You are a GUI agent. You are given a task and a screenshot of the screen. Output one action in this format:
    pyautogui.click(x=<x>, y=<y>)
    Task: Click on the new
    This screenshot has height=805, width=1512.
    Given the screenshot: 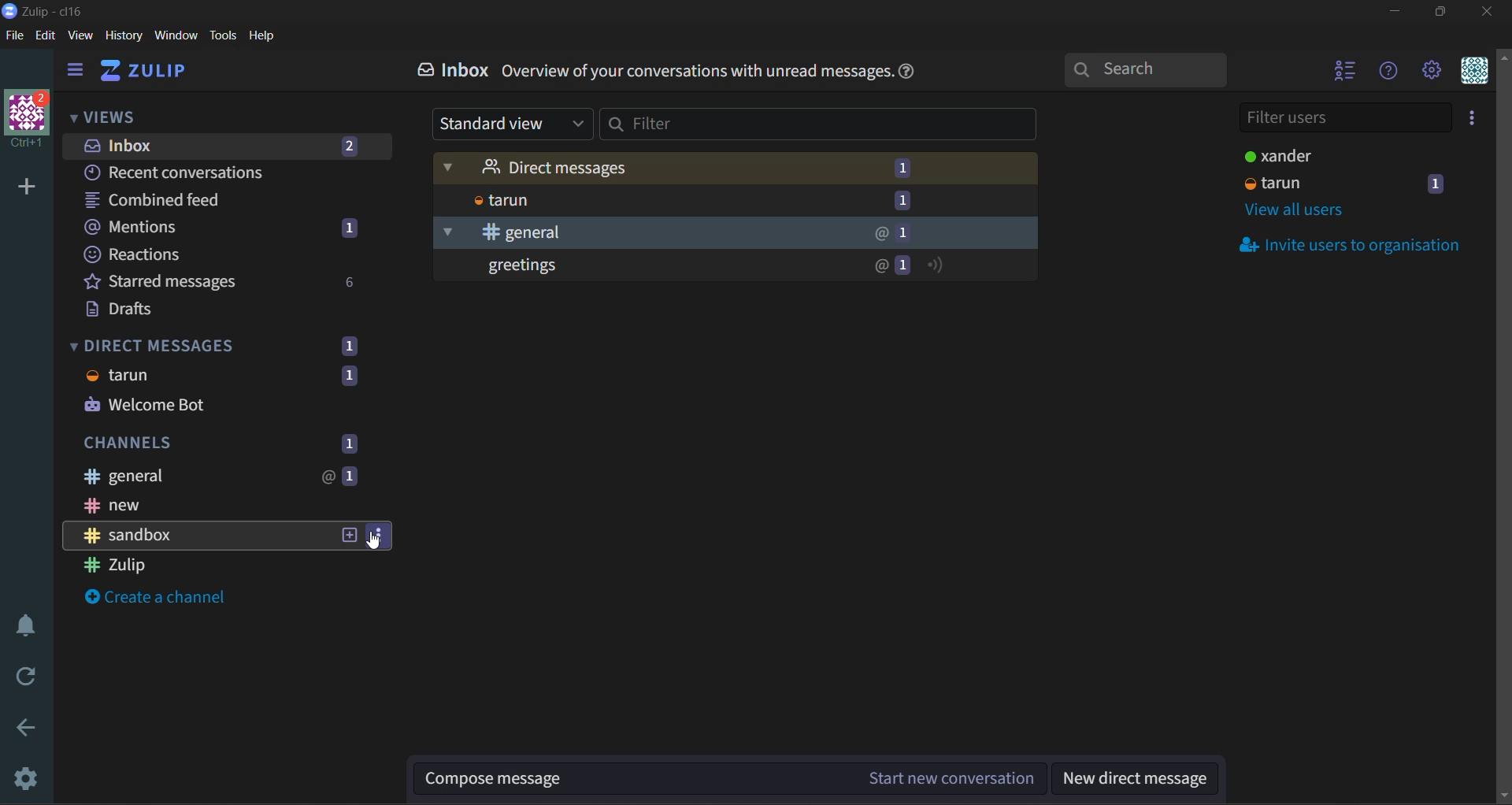 What is the action you would take?
    pyautogui.click(x=217, y=506)
    